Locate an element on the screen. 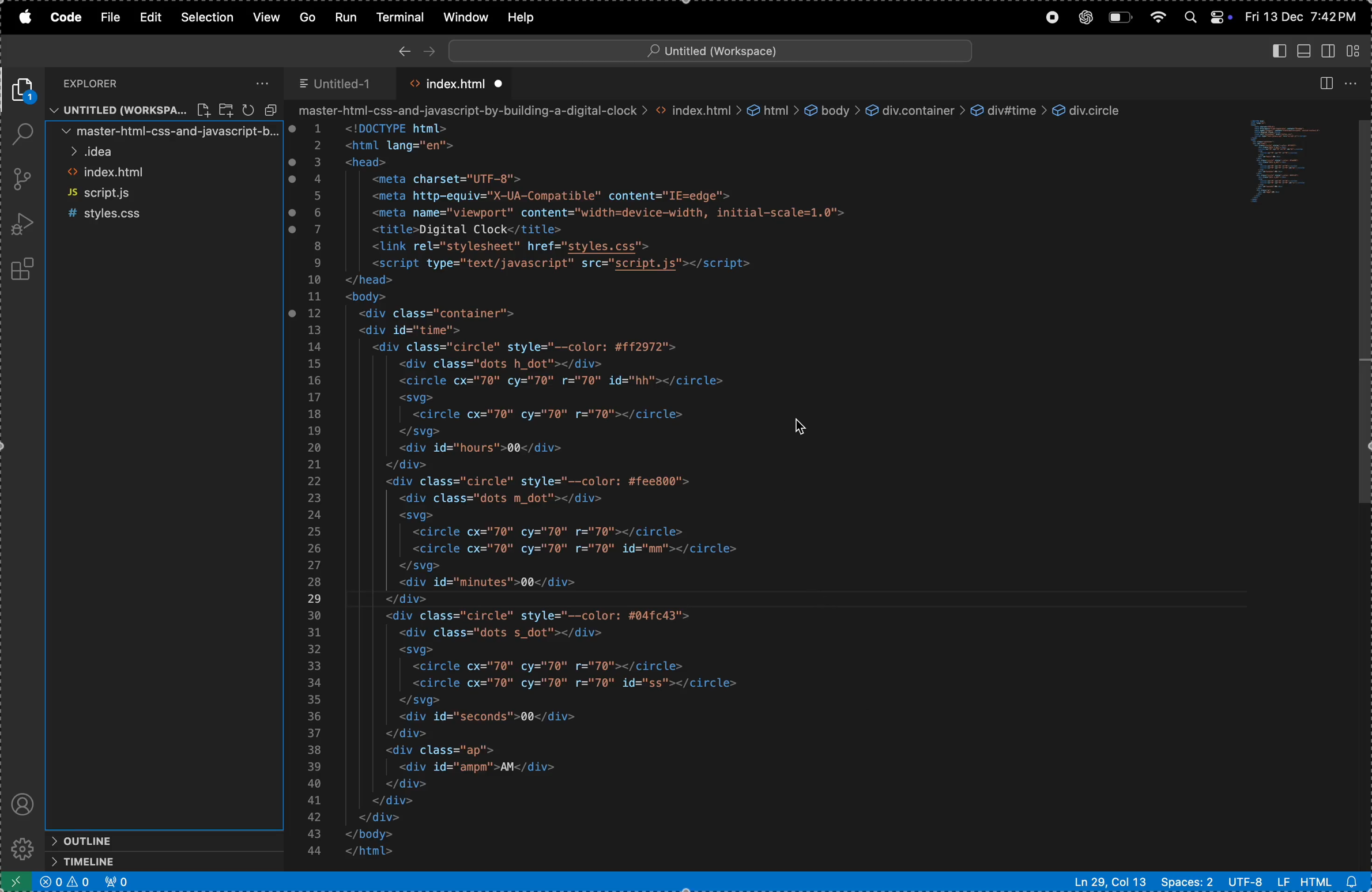 The height and width of the screenshot is (892, 1372). idea is located at coordinates (164, 153).